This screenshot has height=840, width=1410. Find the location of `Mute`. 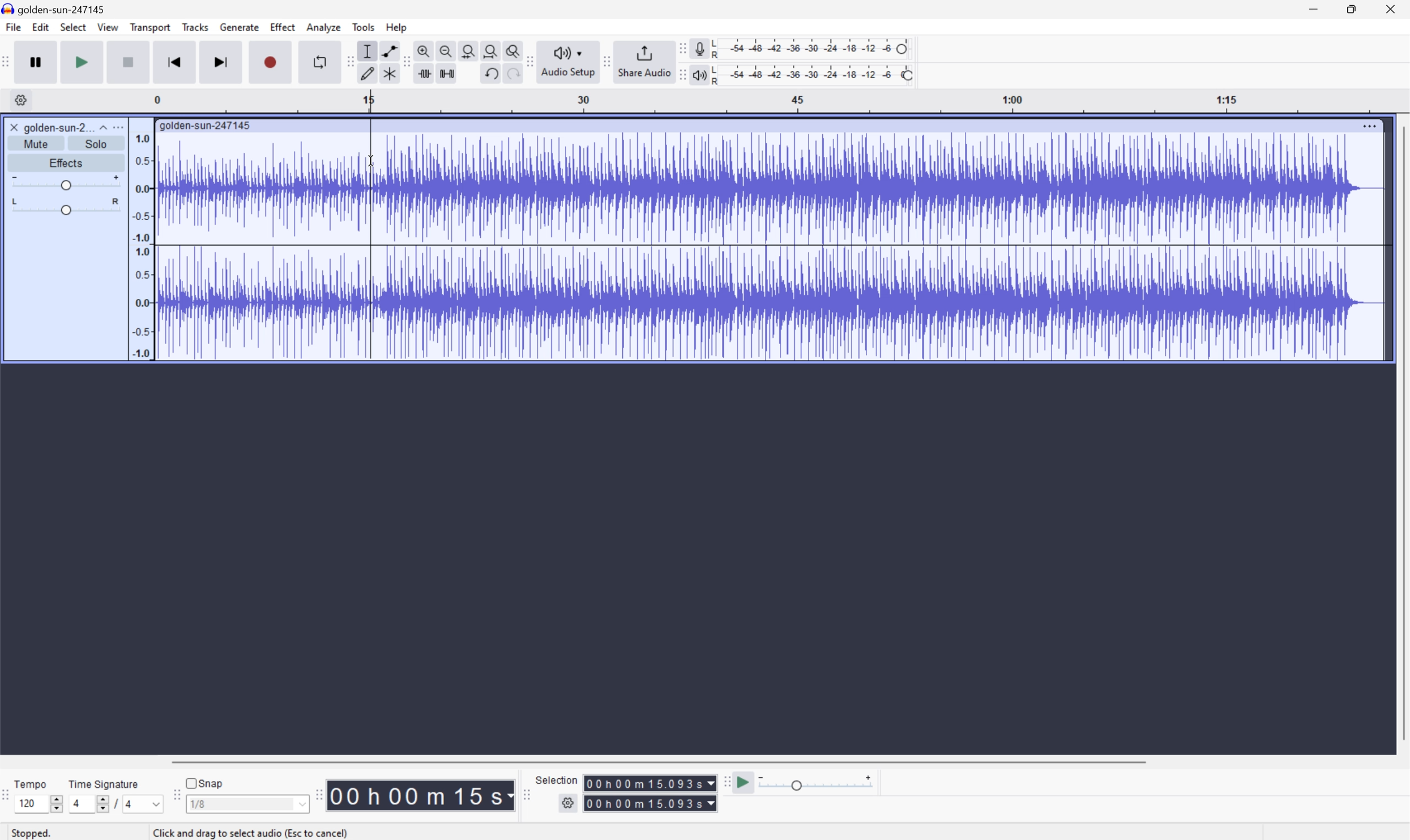

Mute is located at coordinates (40, 143).